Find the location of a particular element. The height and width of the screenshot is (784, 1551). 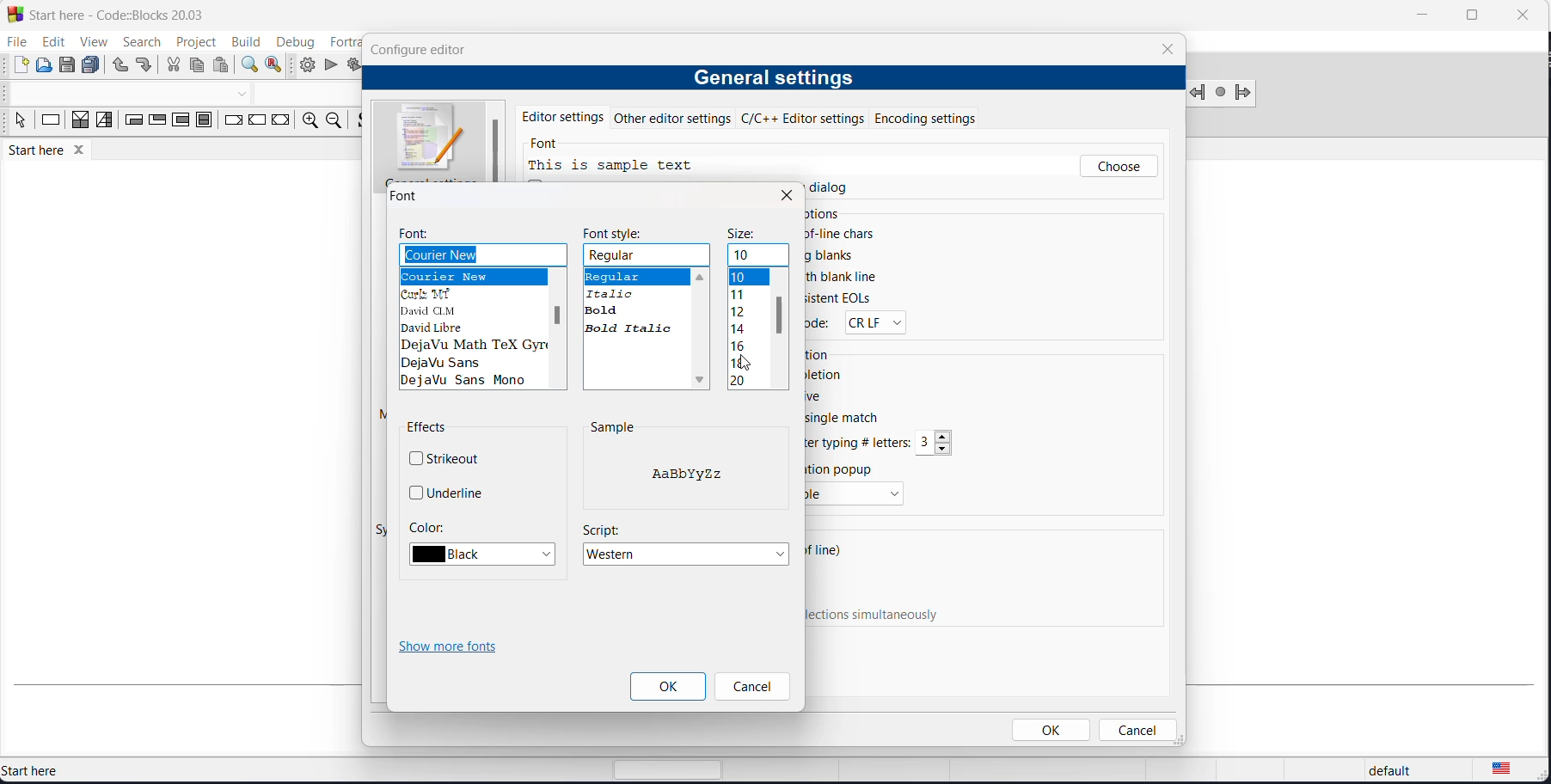

open is located at coordinates (45, 66).